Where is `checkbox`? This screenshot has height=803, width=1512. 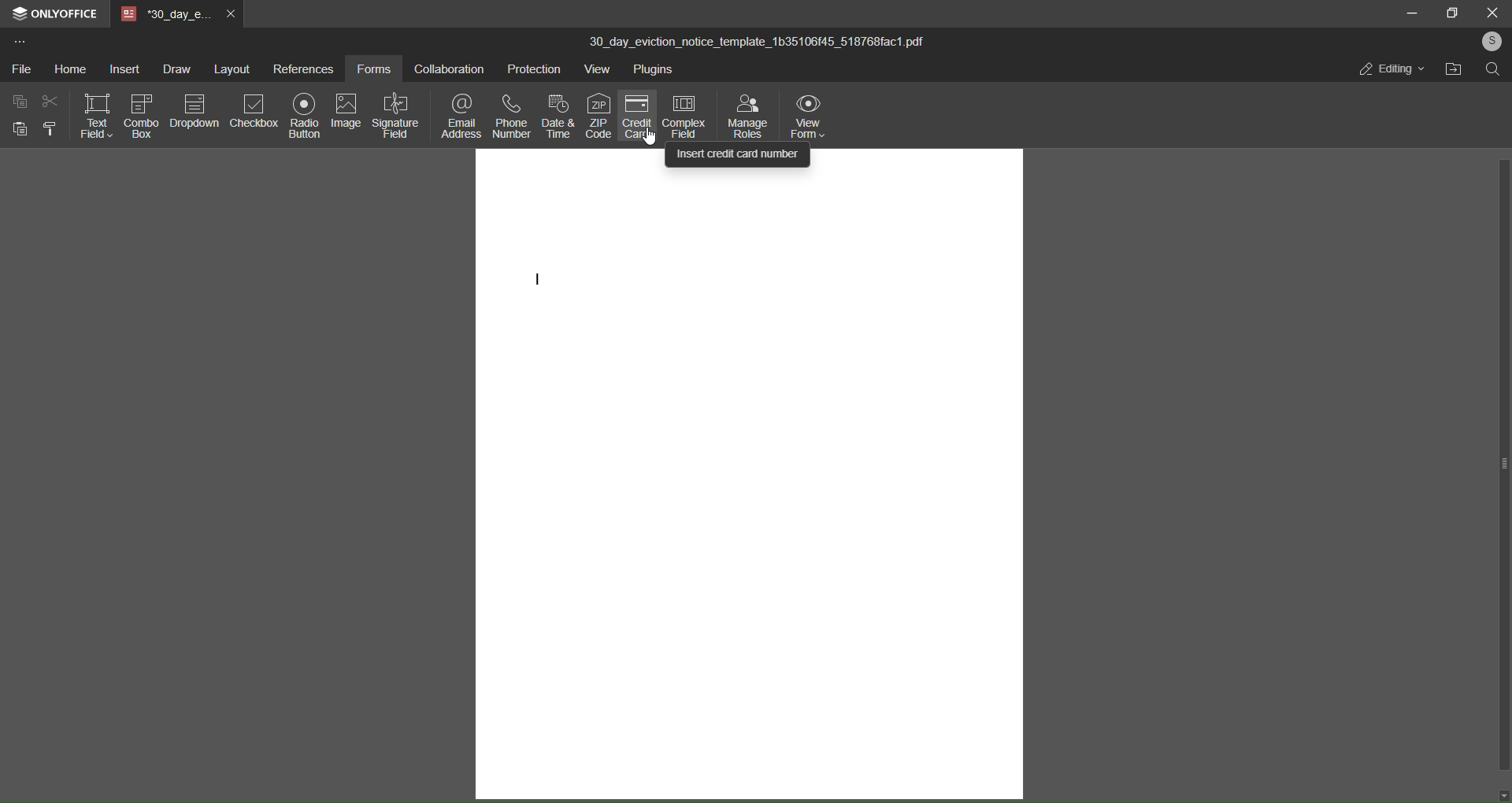
checkbox is located at coordinates (253, 114).